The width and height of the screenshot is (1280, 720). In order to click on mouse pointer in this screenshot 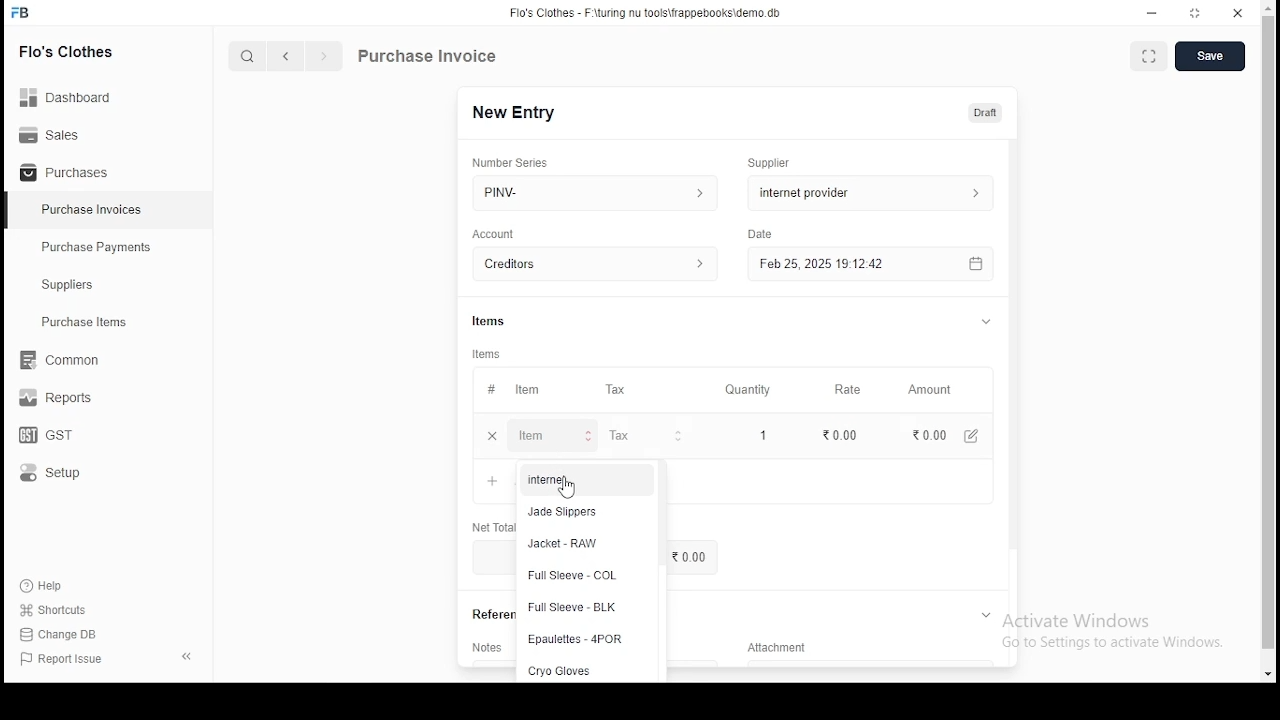, I will do `click(565, 490)`.